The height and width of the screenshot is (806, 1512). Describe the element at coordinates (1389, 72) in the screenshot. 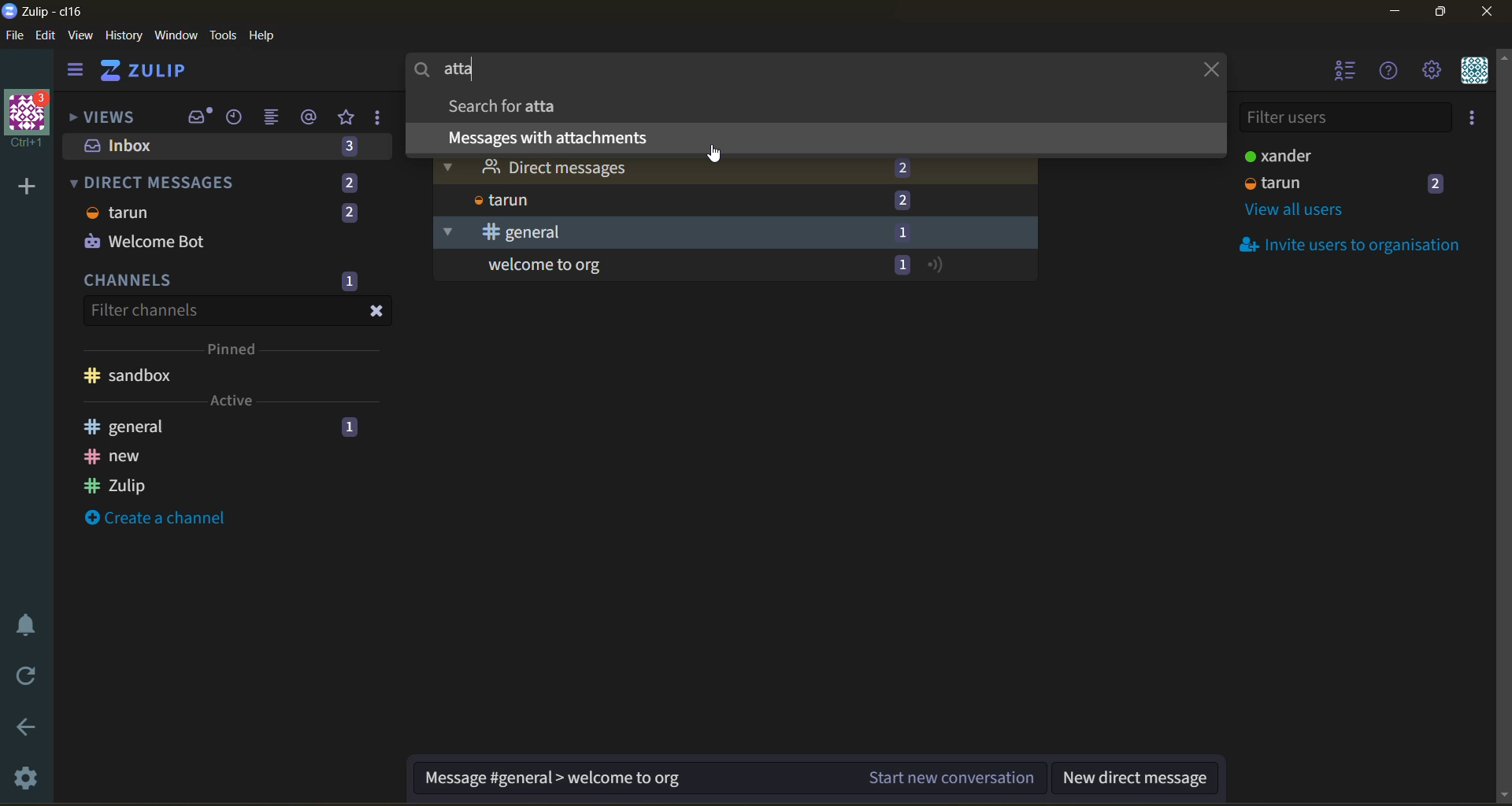

I see `help` at that location.